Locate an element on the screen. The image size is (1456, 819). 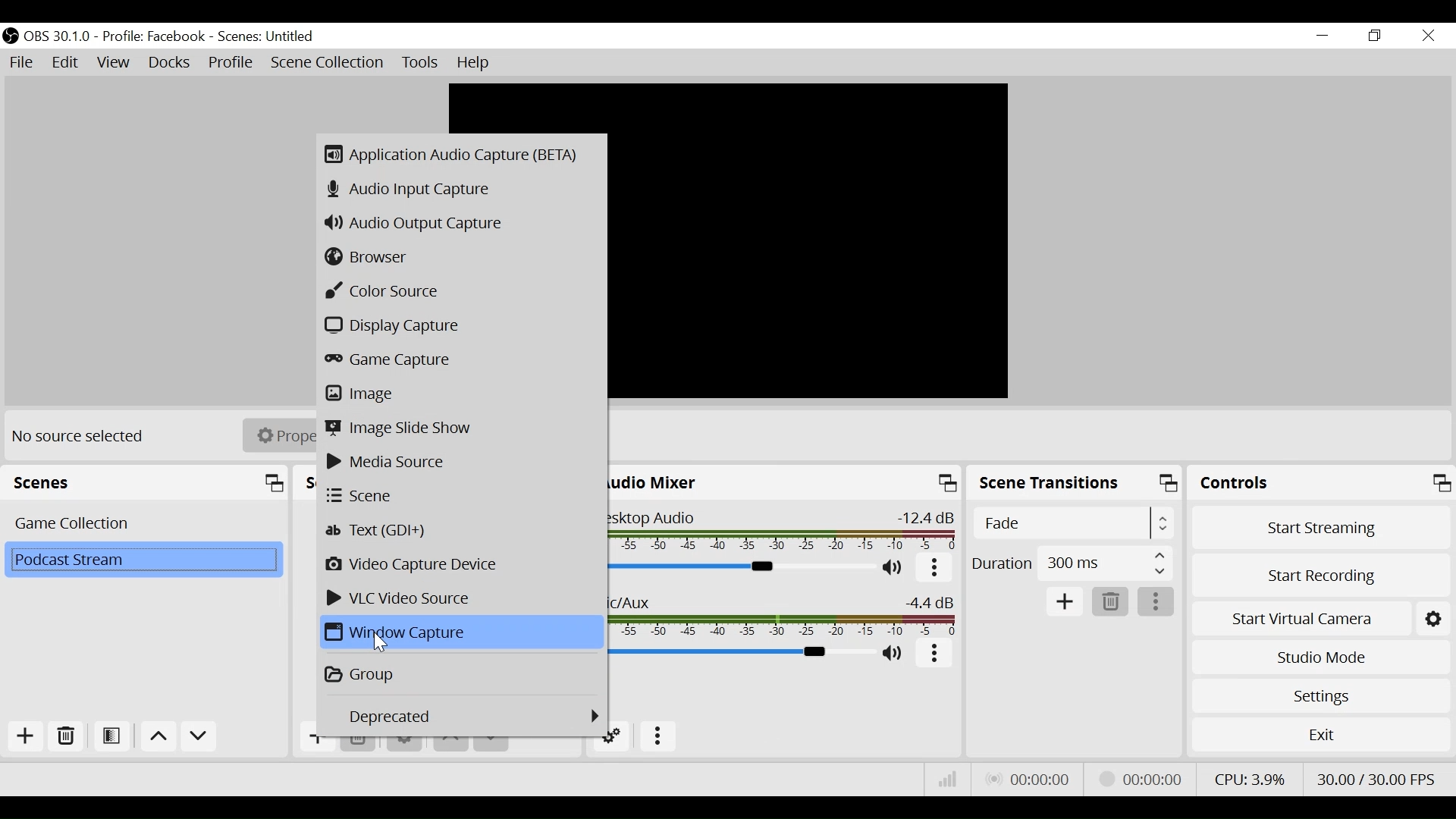
Audio Mixer Slider is located at coordinates (745, 568).